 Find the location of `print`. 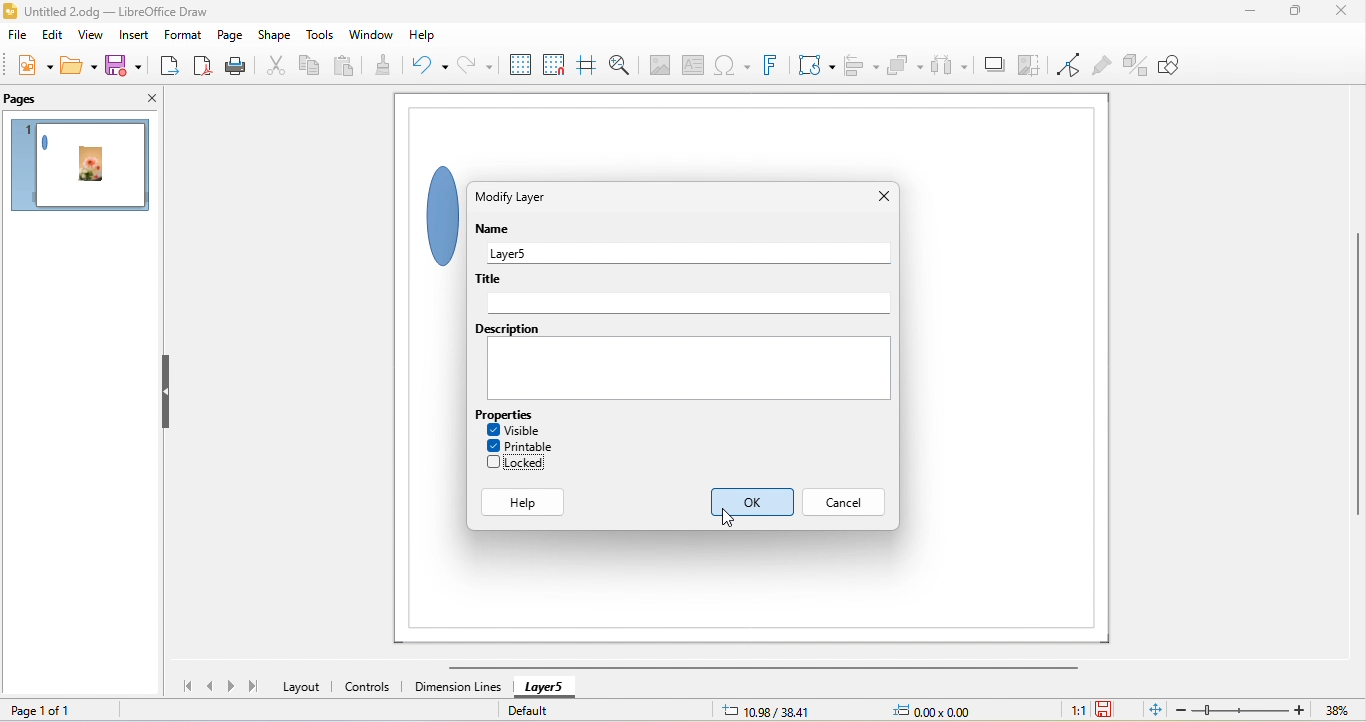

print is located at coordinates (243, 67).